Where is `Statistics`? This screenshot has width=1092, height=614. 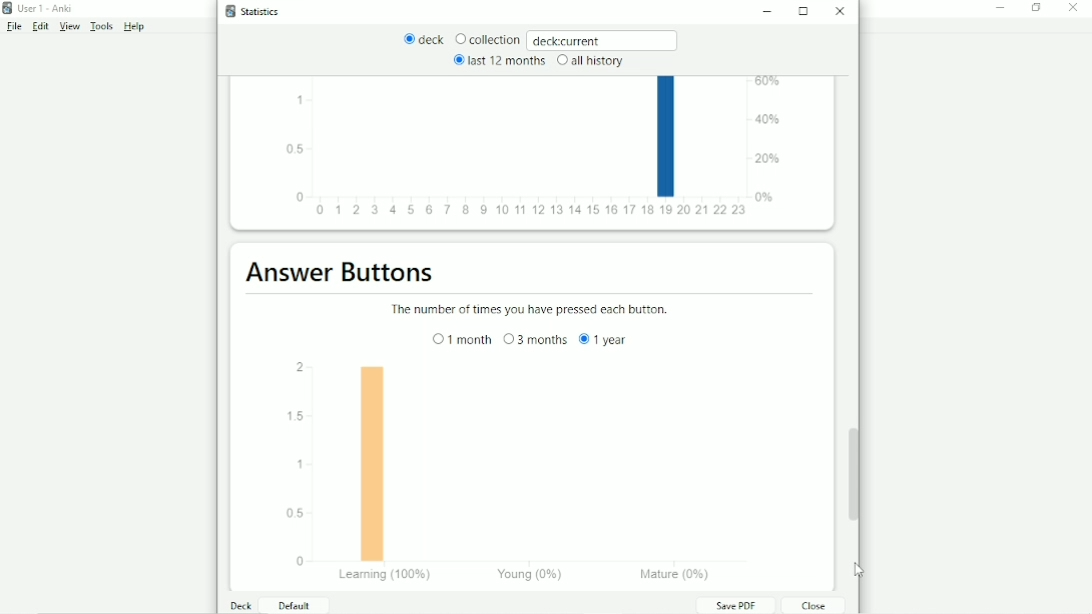
Statistics is located at coordinates (257, 11).